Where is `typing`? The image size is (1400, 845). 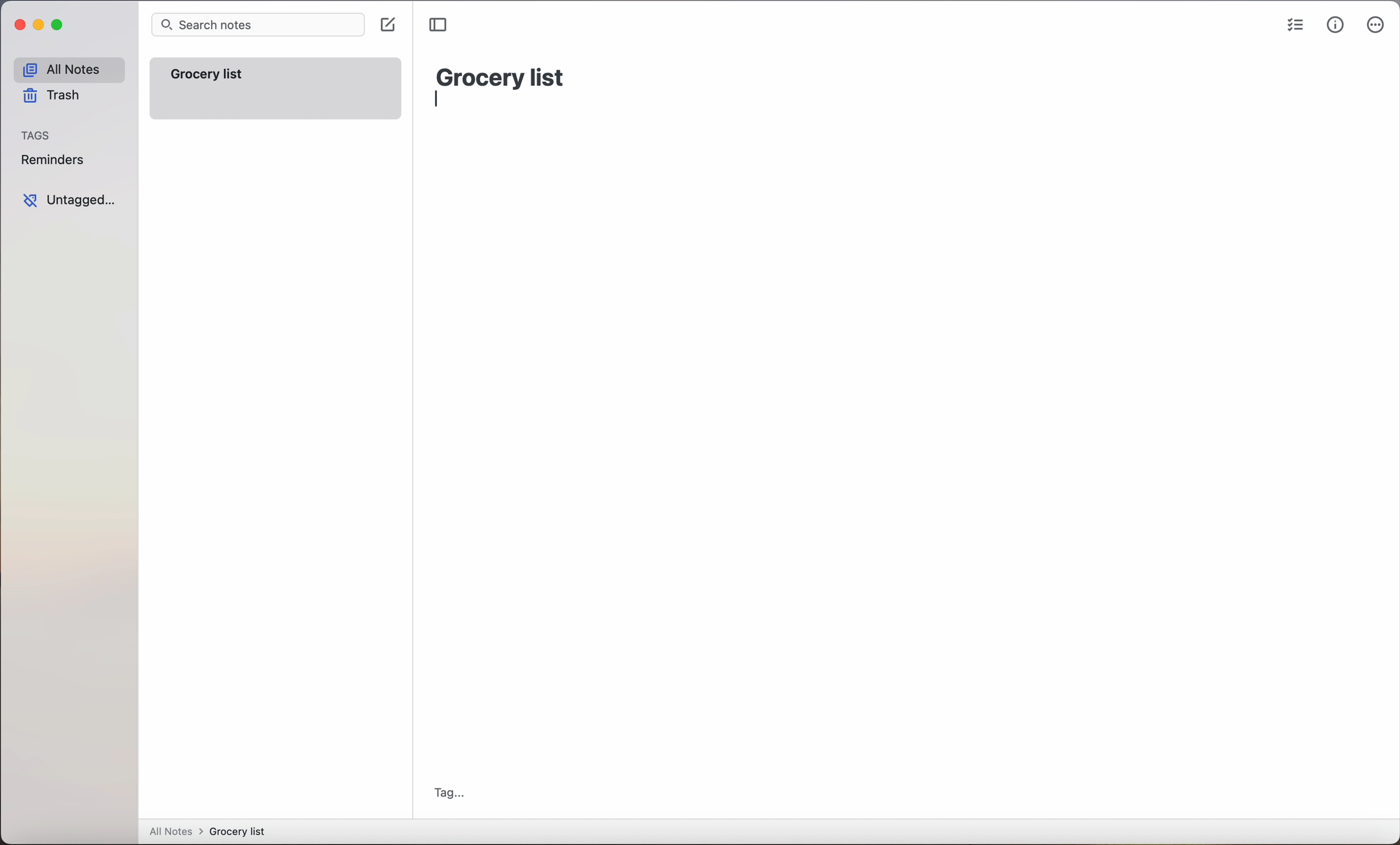 typing is located at coordinates (443, 101).